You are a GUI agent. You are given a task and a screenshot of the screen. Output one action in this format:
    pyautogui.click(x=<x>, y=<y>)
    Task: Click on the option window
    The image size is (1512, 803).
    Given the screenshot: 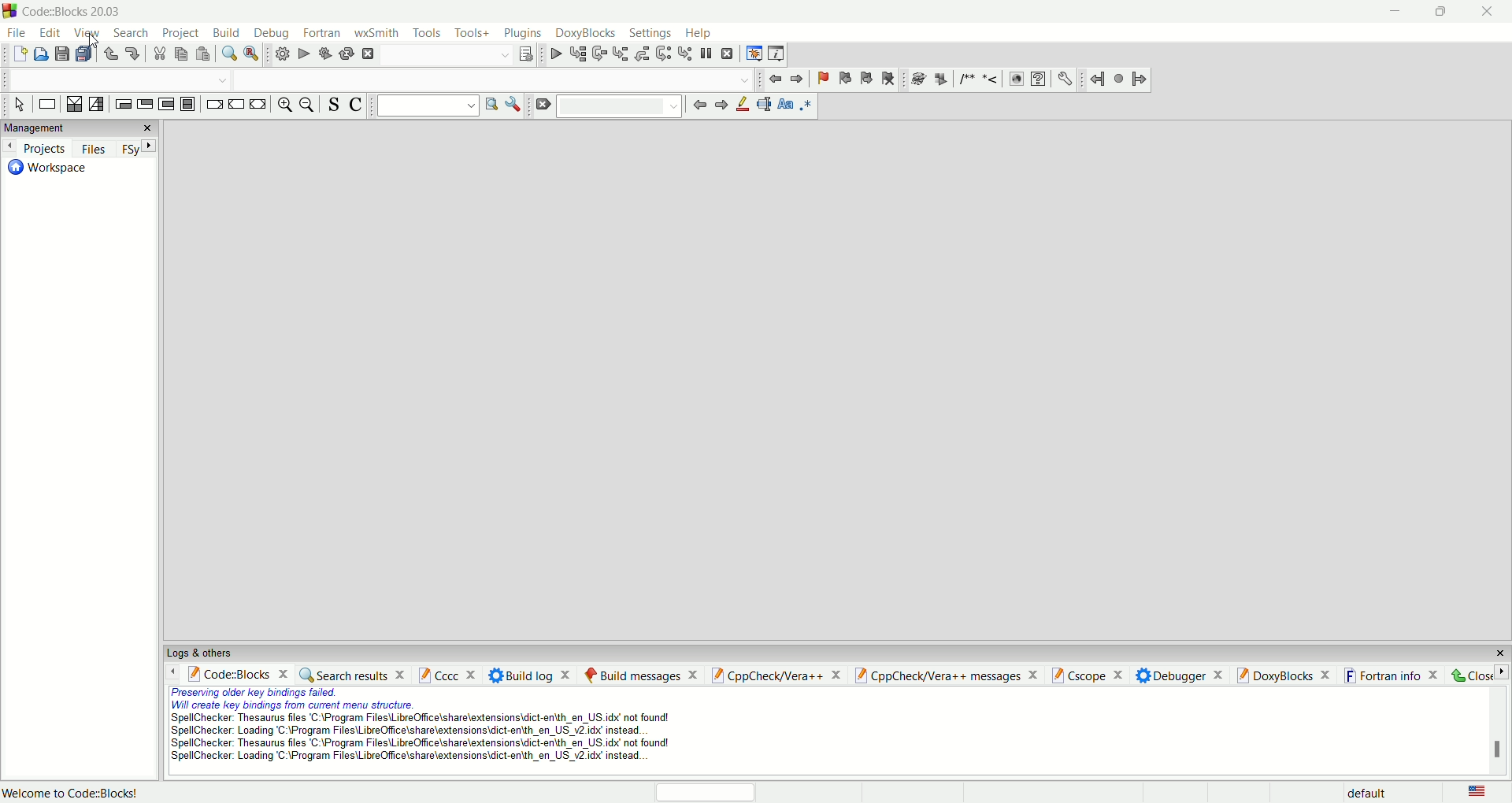 What is the action you would take?
    pyautogui.click(x=516, y=104)
    